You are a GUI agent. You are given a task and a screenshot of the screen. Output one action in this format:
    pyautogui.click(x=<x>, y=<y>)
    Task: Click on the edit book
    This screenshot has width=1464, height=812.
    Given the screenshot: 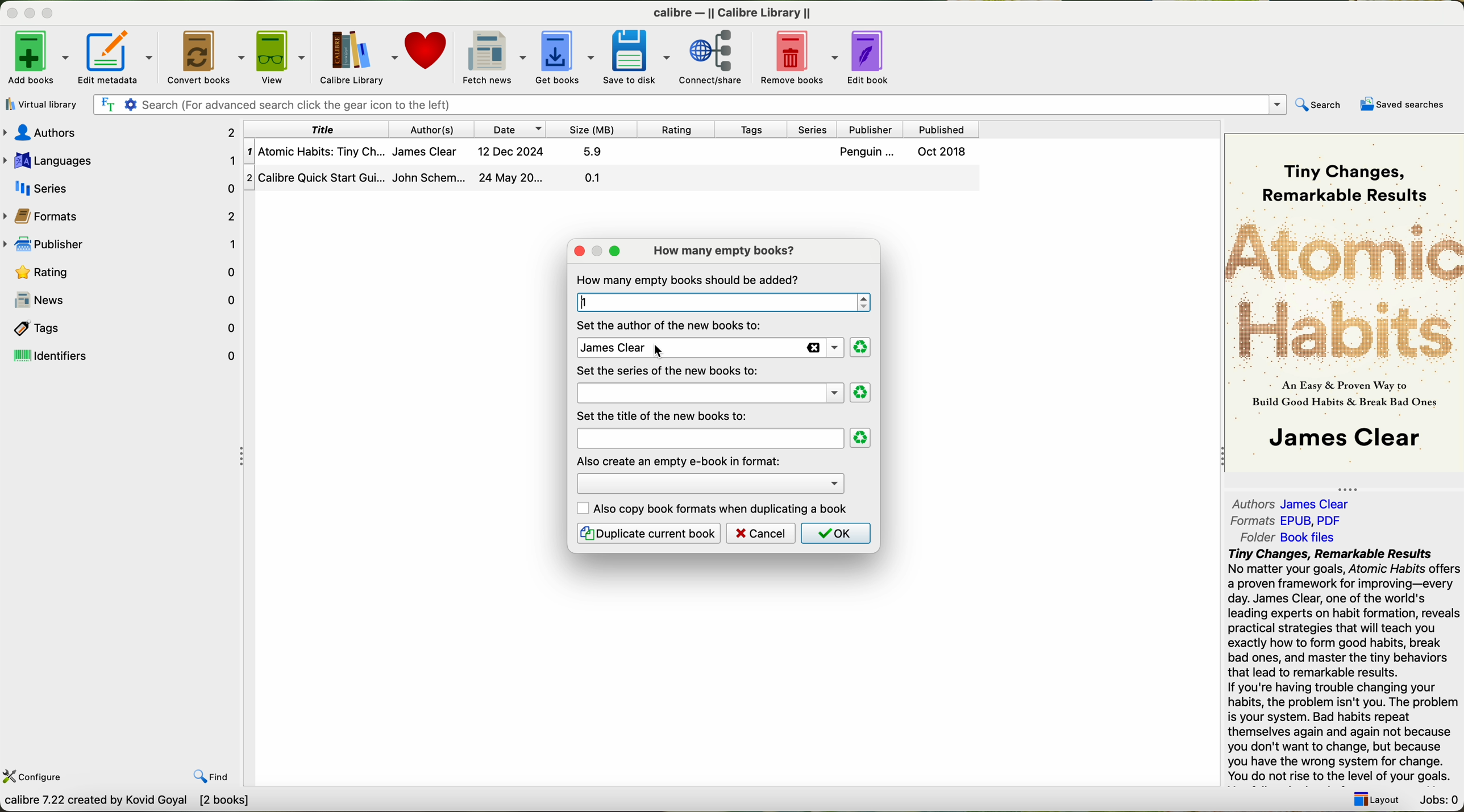 What is the action you would take?
    pyautogui.click(x=871, y=57)
    